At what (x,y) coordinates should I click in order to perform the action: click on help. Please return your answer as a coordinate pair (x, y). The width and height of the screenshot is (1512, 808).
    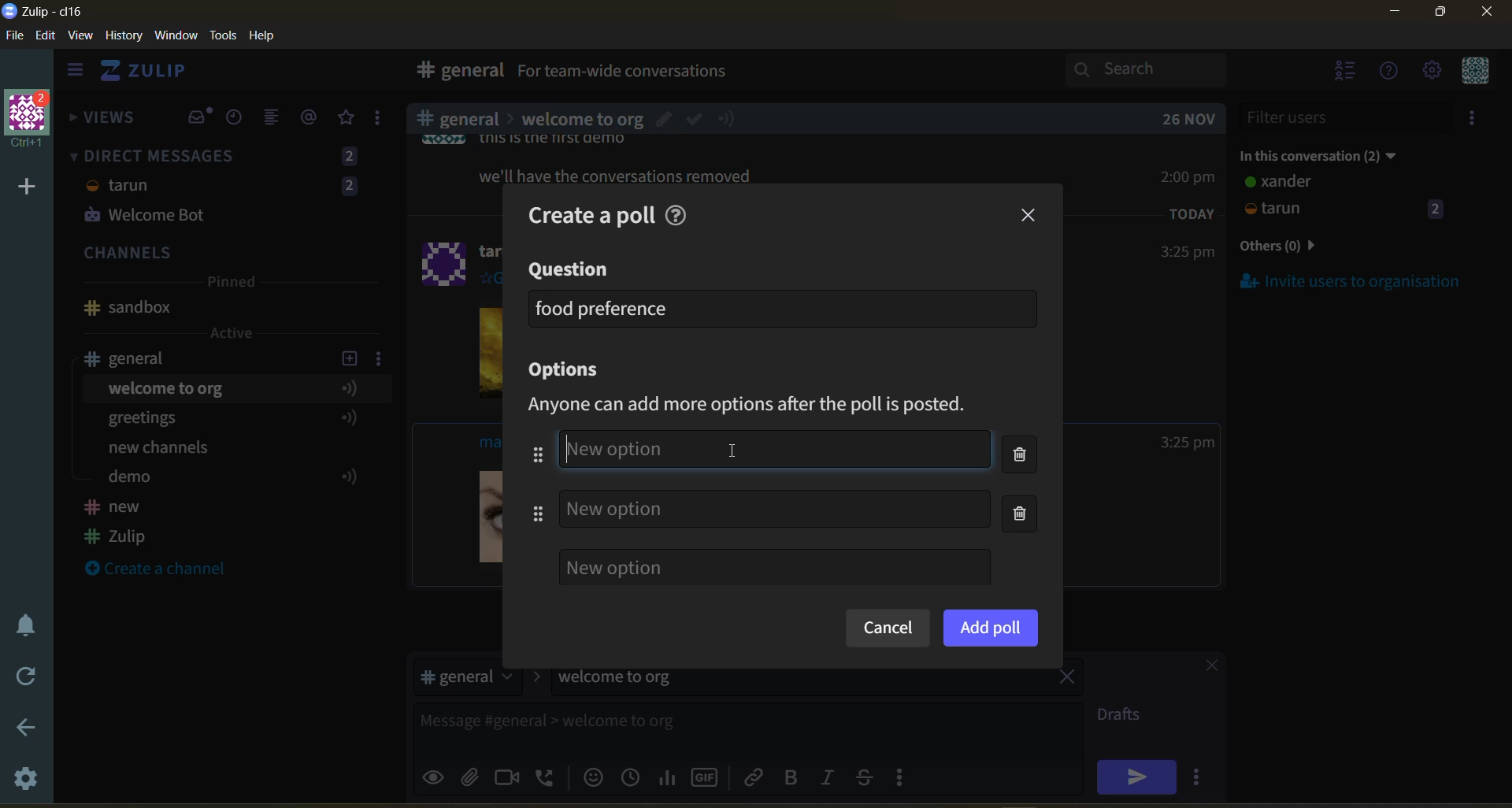
    Looking at the image, I should click on (268, 36).